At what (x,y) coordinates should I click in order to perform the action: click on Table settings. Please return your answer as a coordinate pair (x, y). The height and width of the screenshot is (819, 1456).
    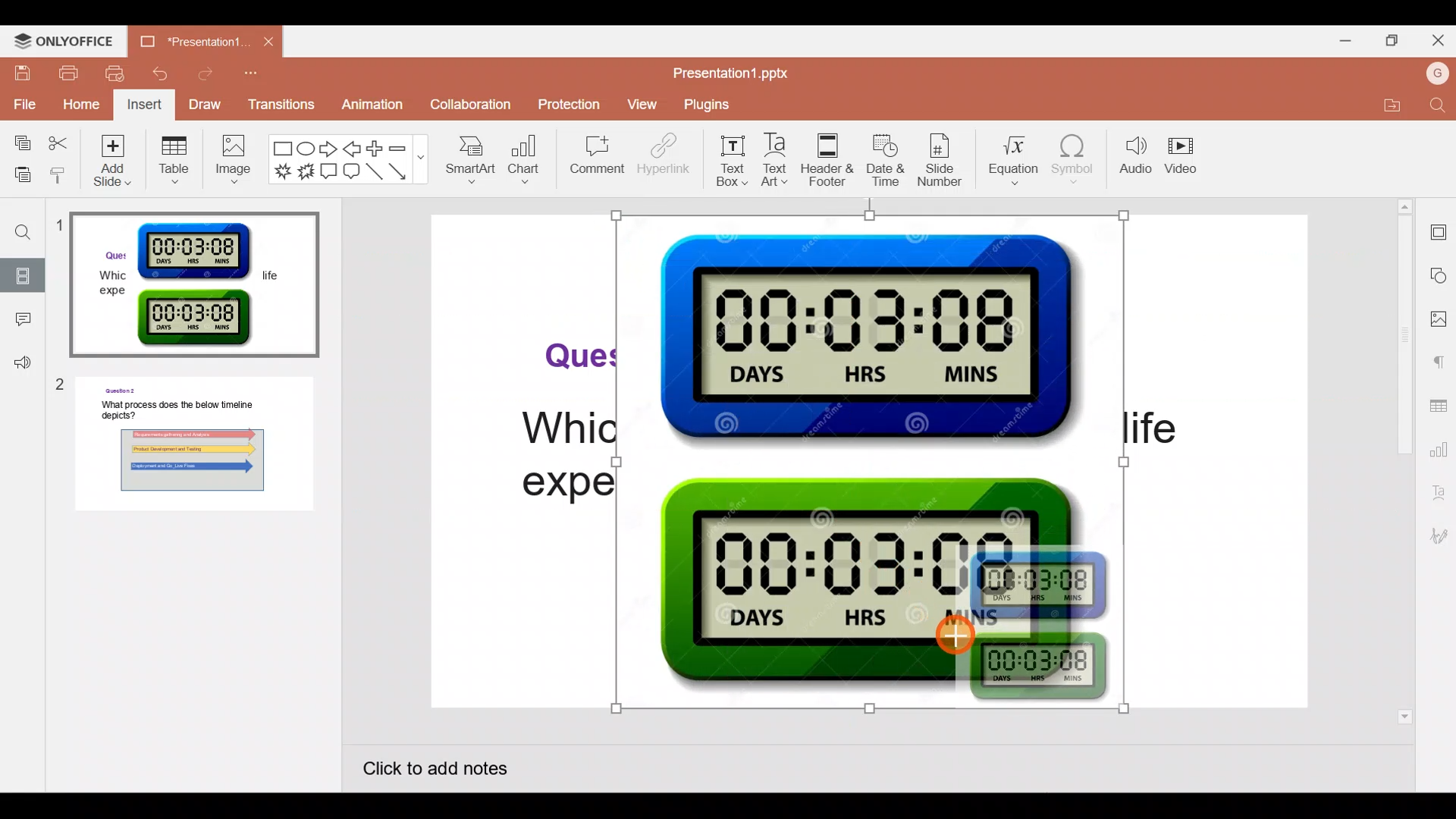
    Looking at the image, I should click on (1438, 408).